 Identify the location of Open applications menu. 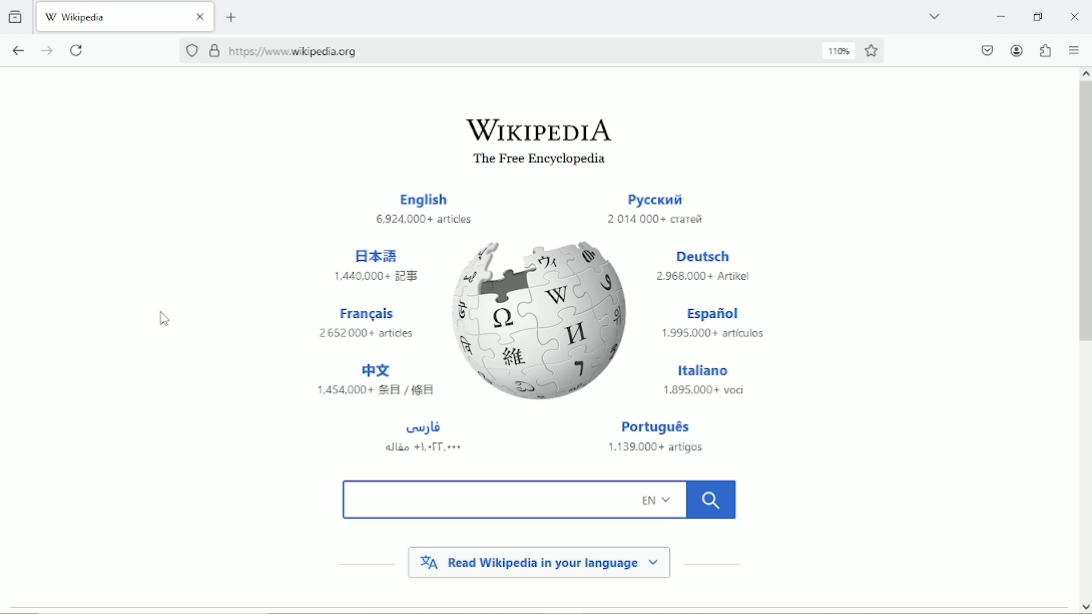
(1076, 49).